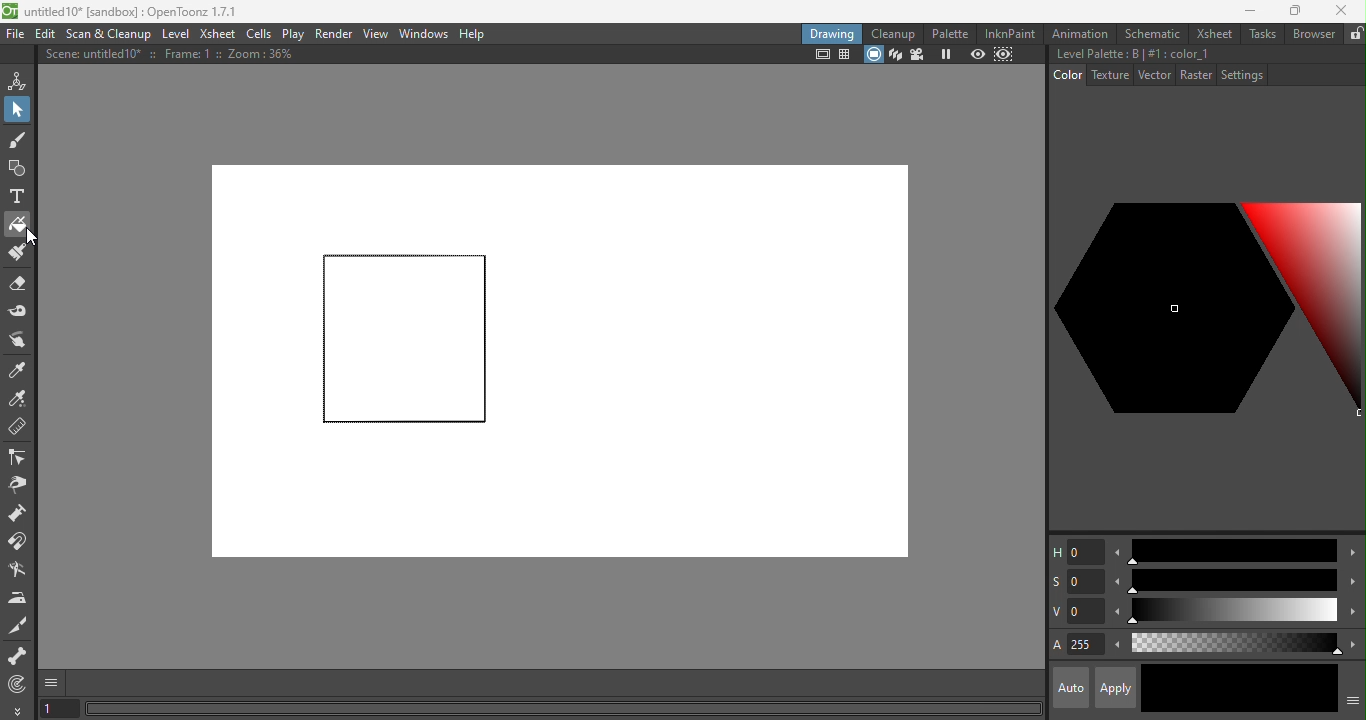 The image size is (1366, 720). What do you see at coordinates (1151, 34) in the screenshot?
I see `Schematic` at bounding box center [1151, 34].